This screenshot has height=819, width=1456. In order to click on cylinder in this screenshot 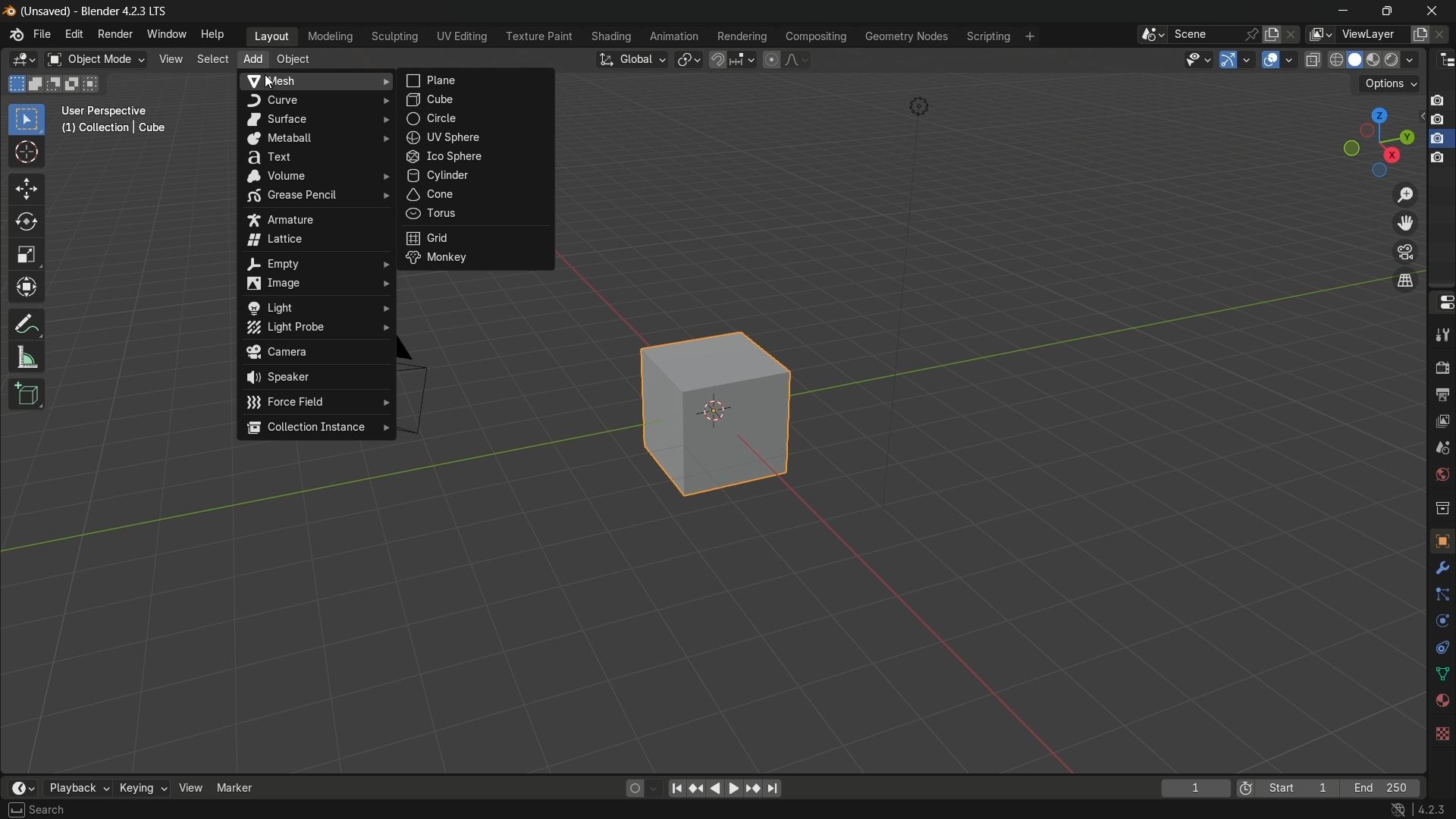, I will do `click(475, 177)`.